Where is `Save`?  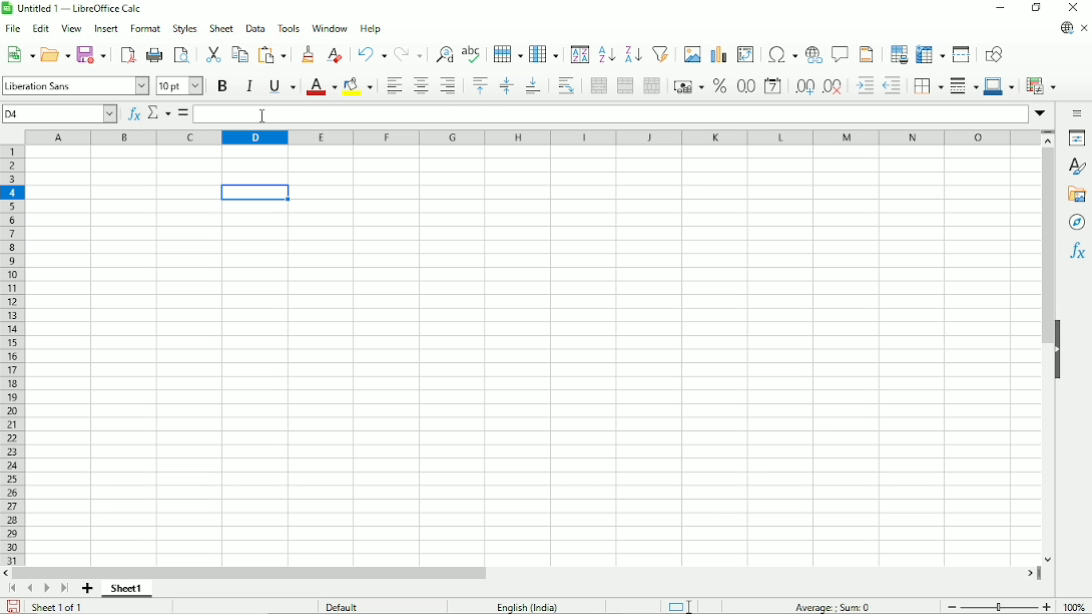 Save is located at coordinates (14, 606).